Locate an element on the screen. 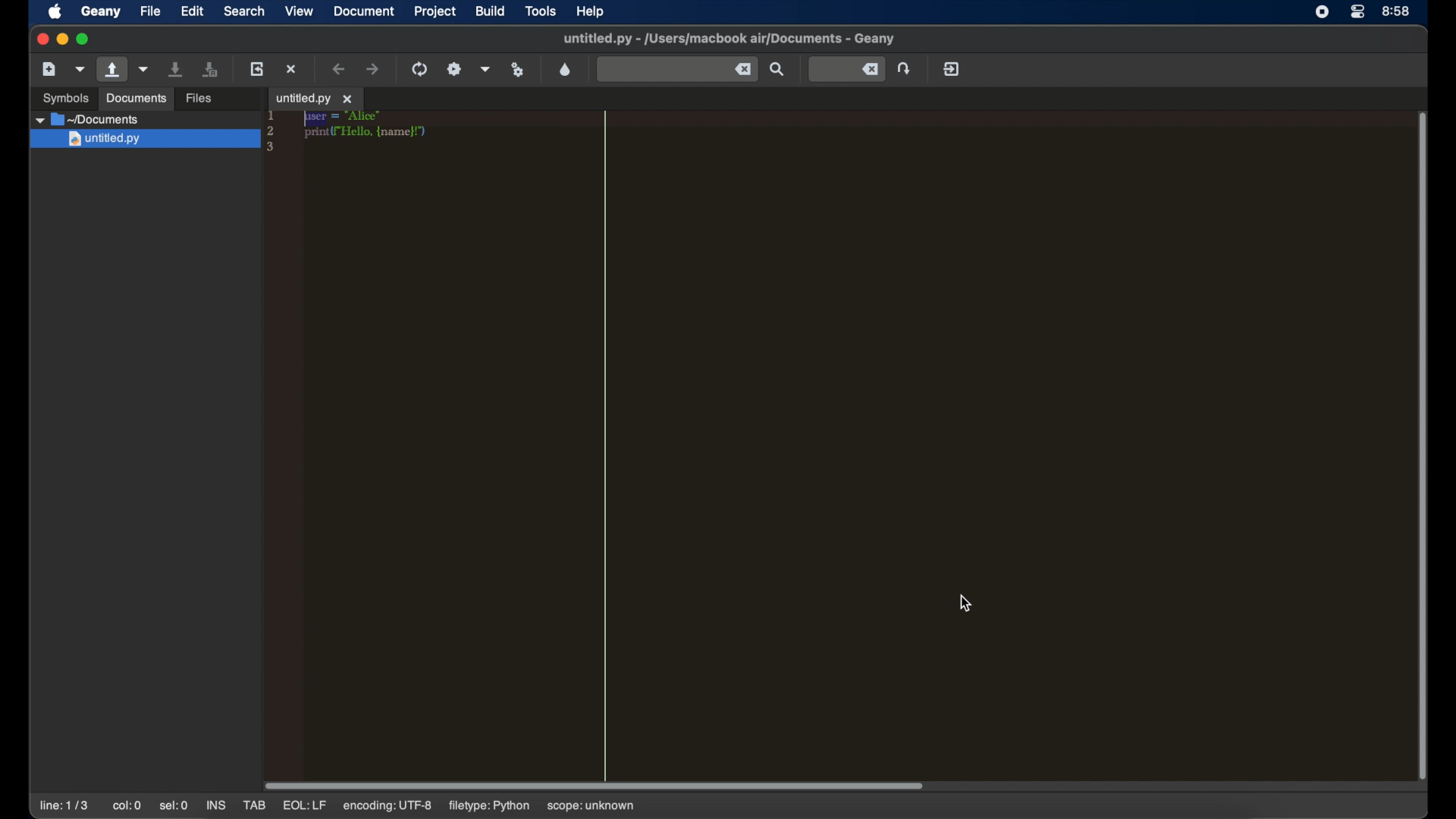 The height and width of the screenshot is (819, 1456). find the entered text in current file is located at coordinates (777, 70).